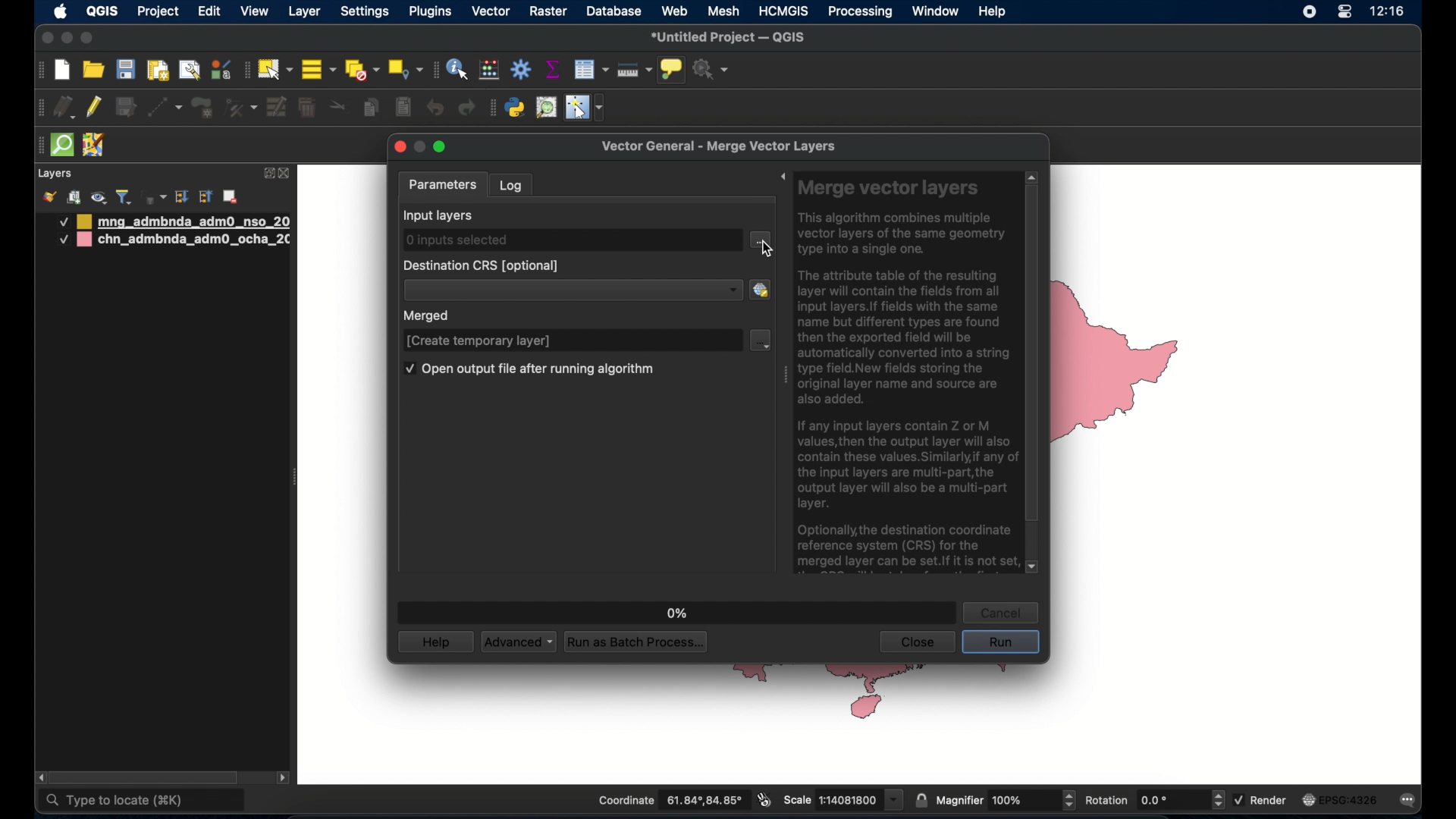 Image resolution: width=1456 pixels, height=819 pixels. I want to click on vector general - merge vector layers, so click(723, 146).